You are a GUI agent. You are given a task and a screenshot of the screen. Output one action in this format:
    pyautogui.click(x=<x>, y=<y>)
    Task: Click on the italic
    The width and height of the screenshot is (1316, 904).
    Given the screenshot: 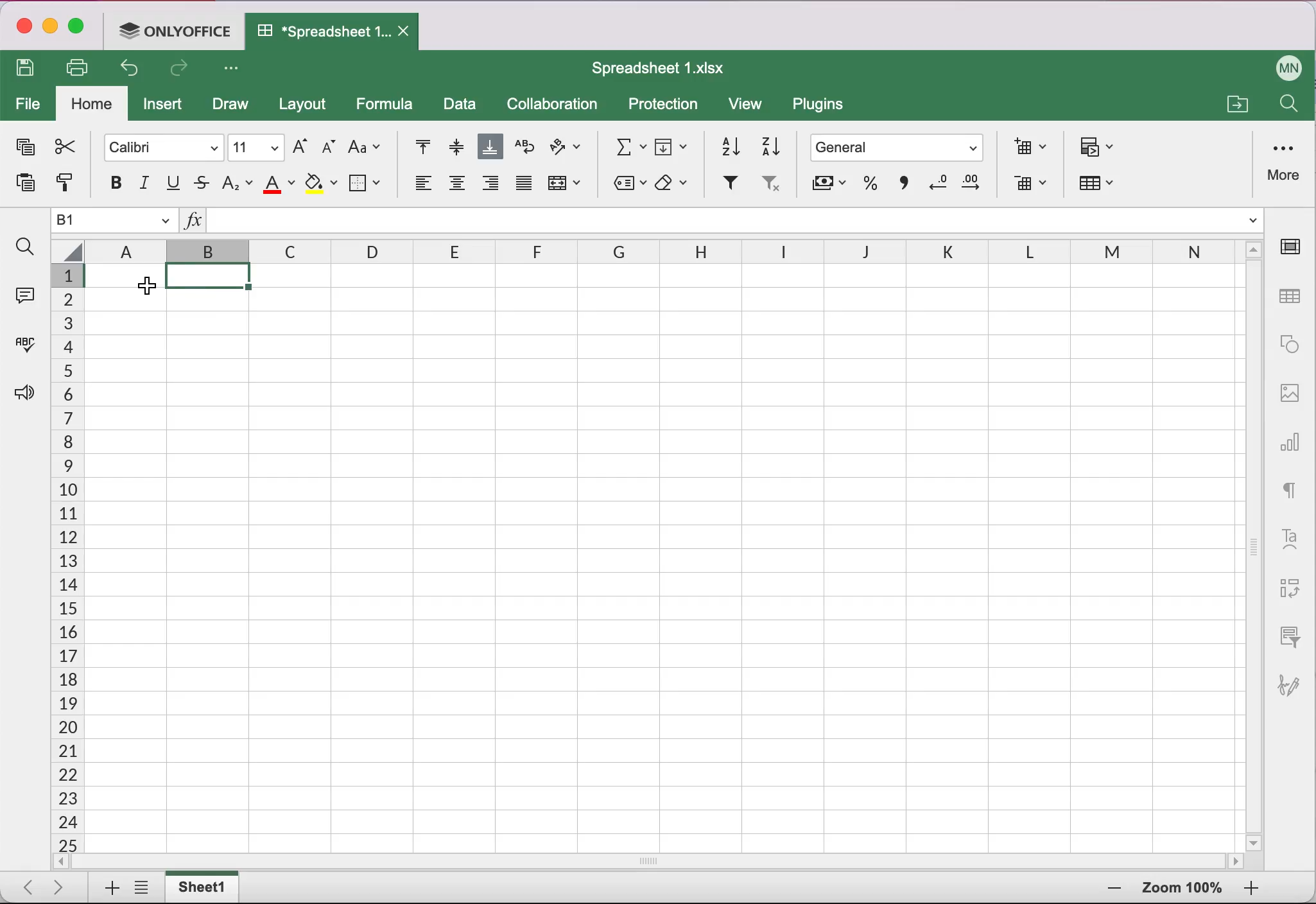 What is the action you would take?
    pyautogui.click(x=146, y=183)
    